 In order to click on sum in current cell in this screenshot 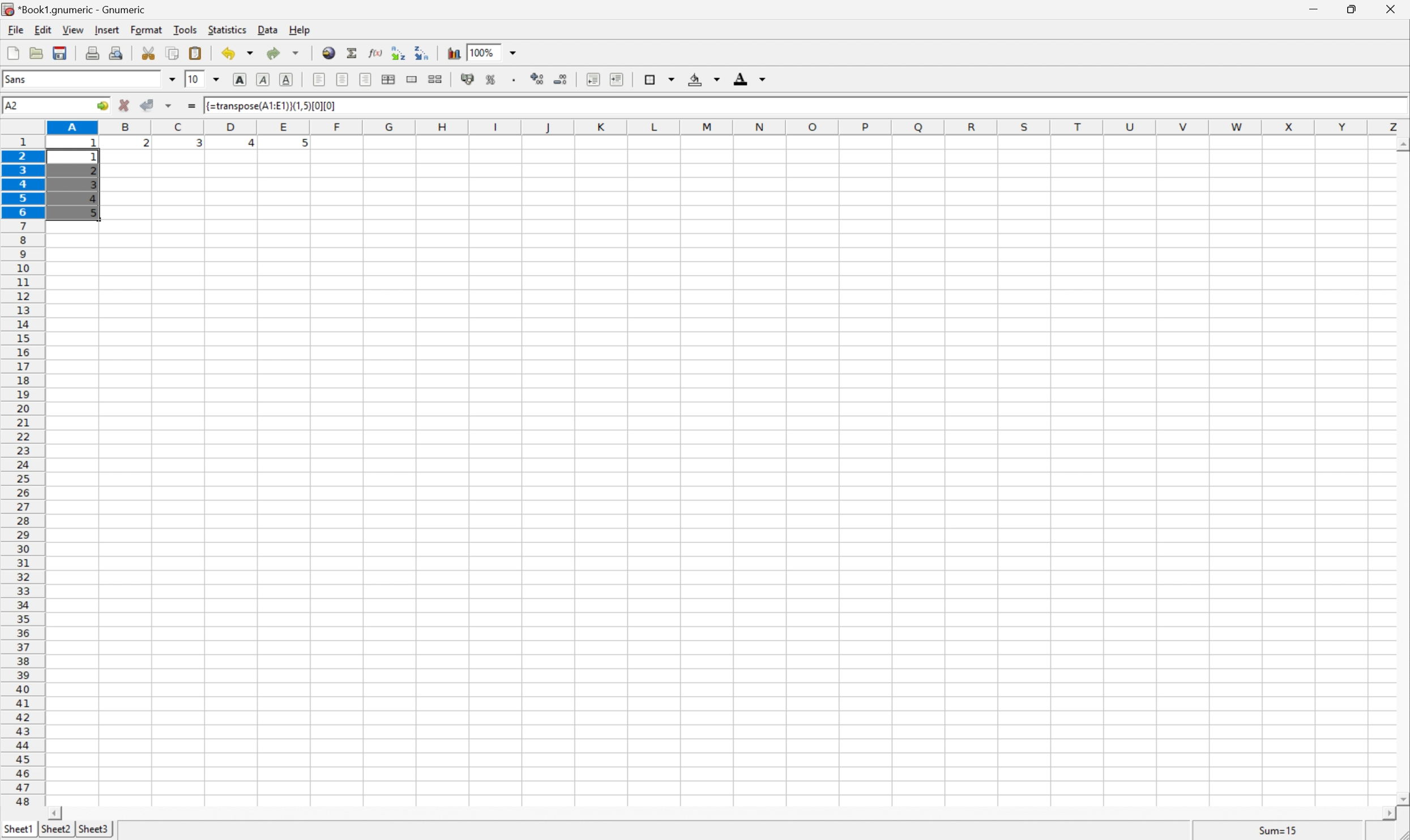, I will do `click(354, 53)`.